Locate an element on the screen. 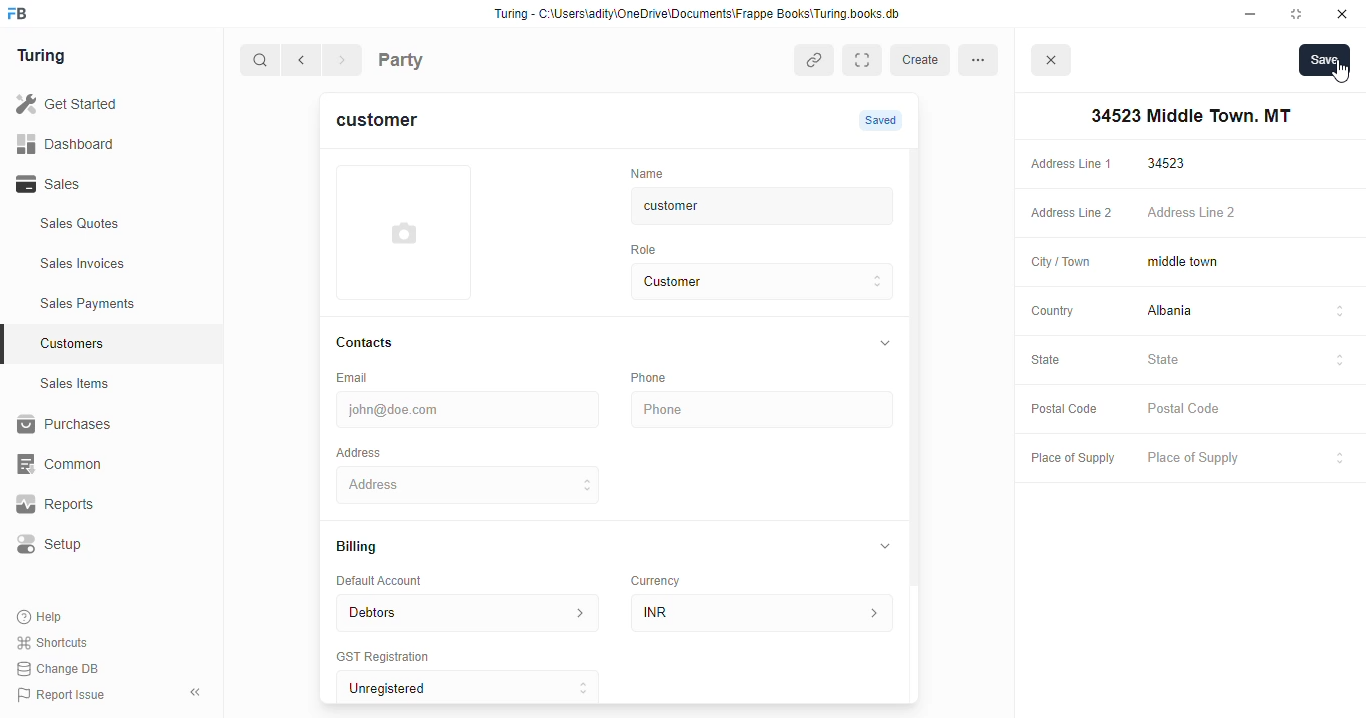 The image size is (1366, 718). Address Line 2 is located at coordinates (1248, 214).